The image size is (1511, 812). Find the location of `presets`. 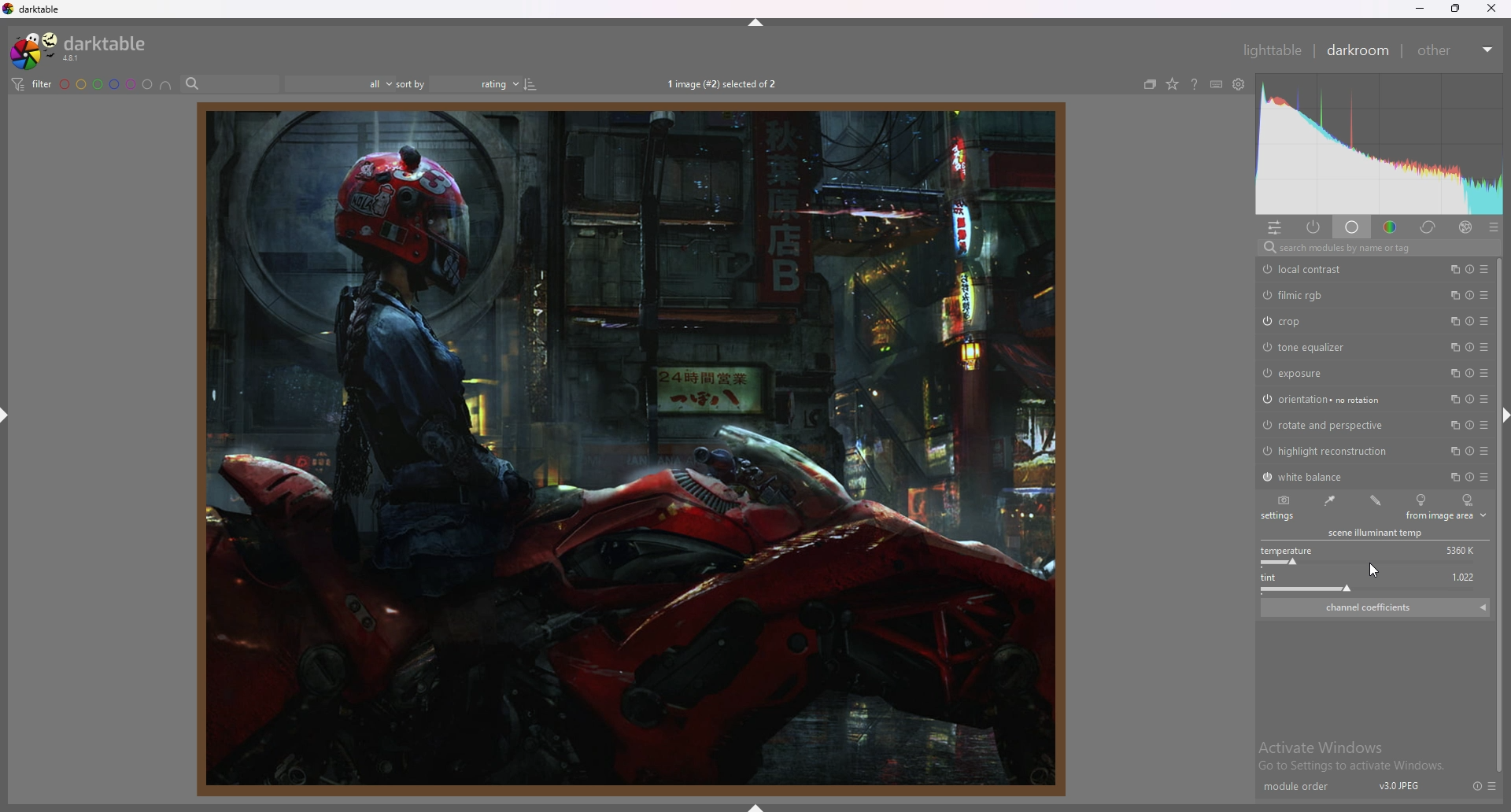

presets is located at coordinates (1483, 373).